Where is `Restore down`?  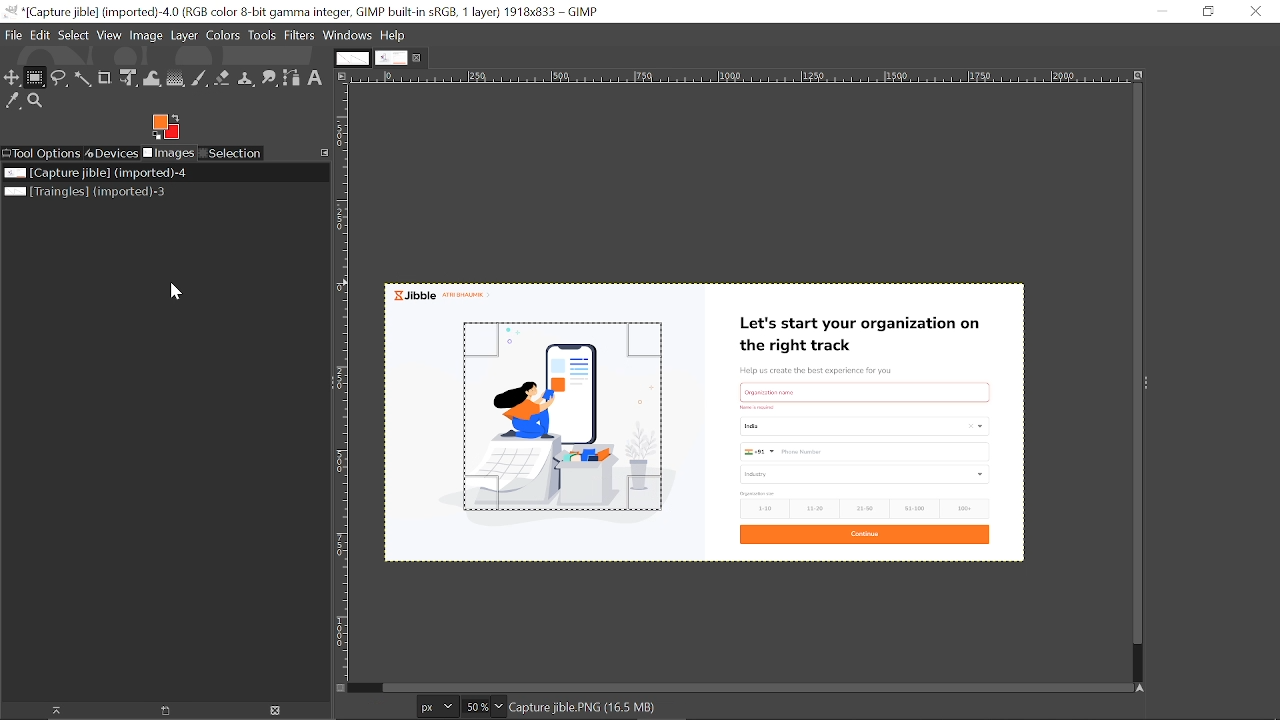 Restore down is located at coordinates (1208, 12).